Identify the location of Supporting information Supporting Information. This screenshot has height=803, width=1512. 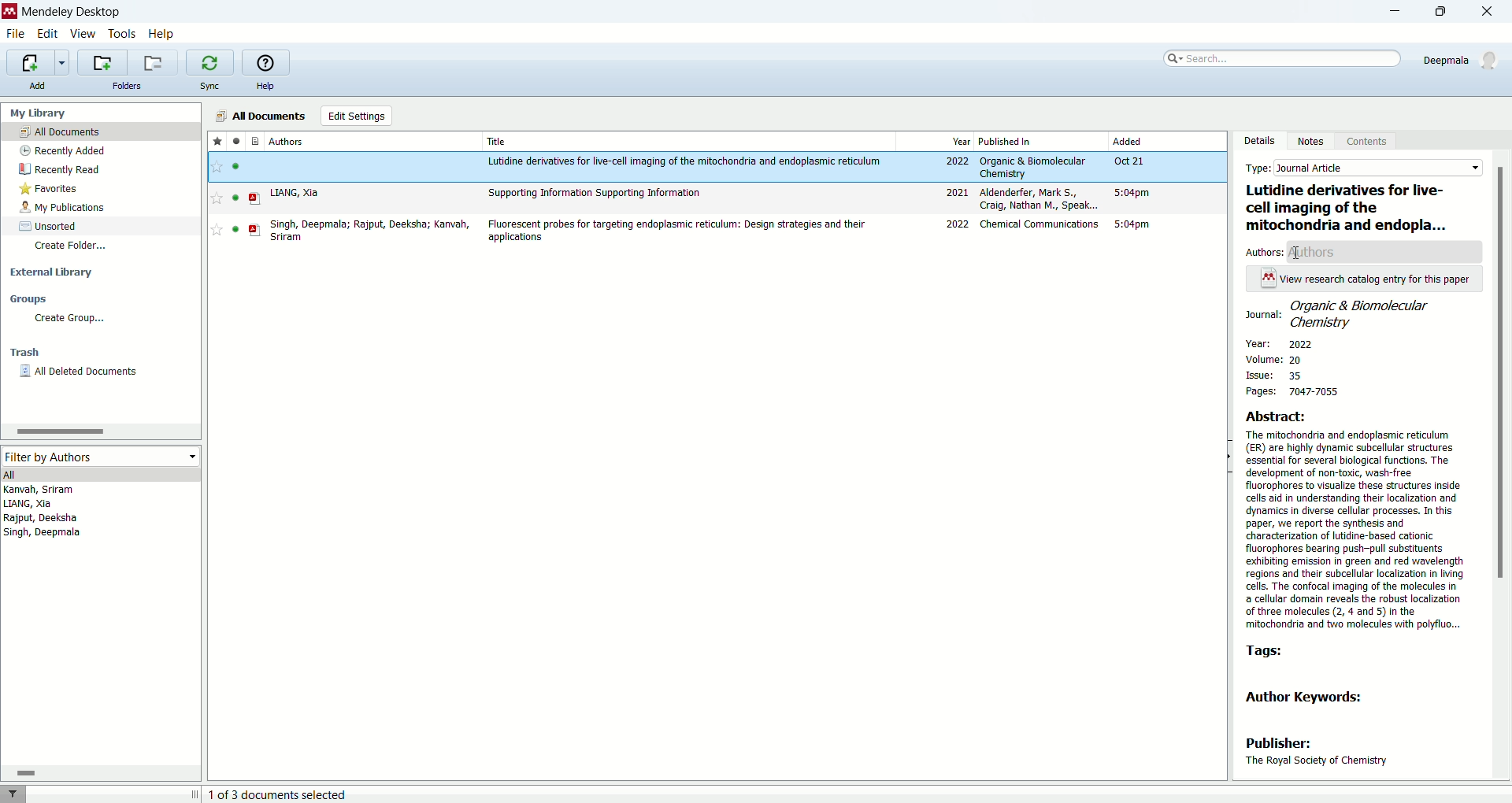
(596, 193).